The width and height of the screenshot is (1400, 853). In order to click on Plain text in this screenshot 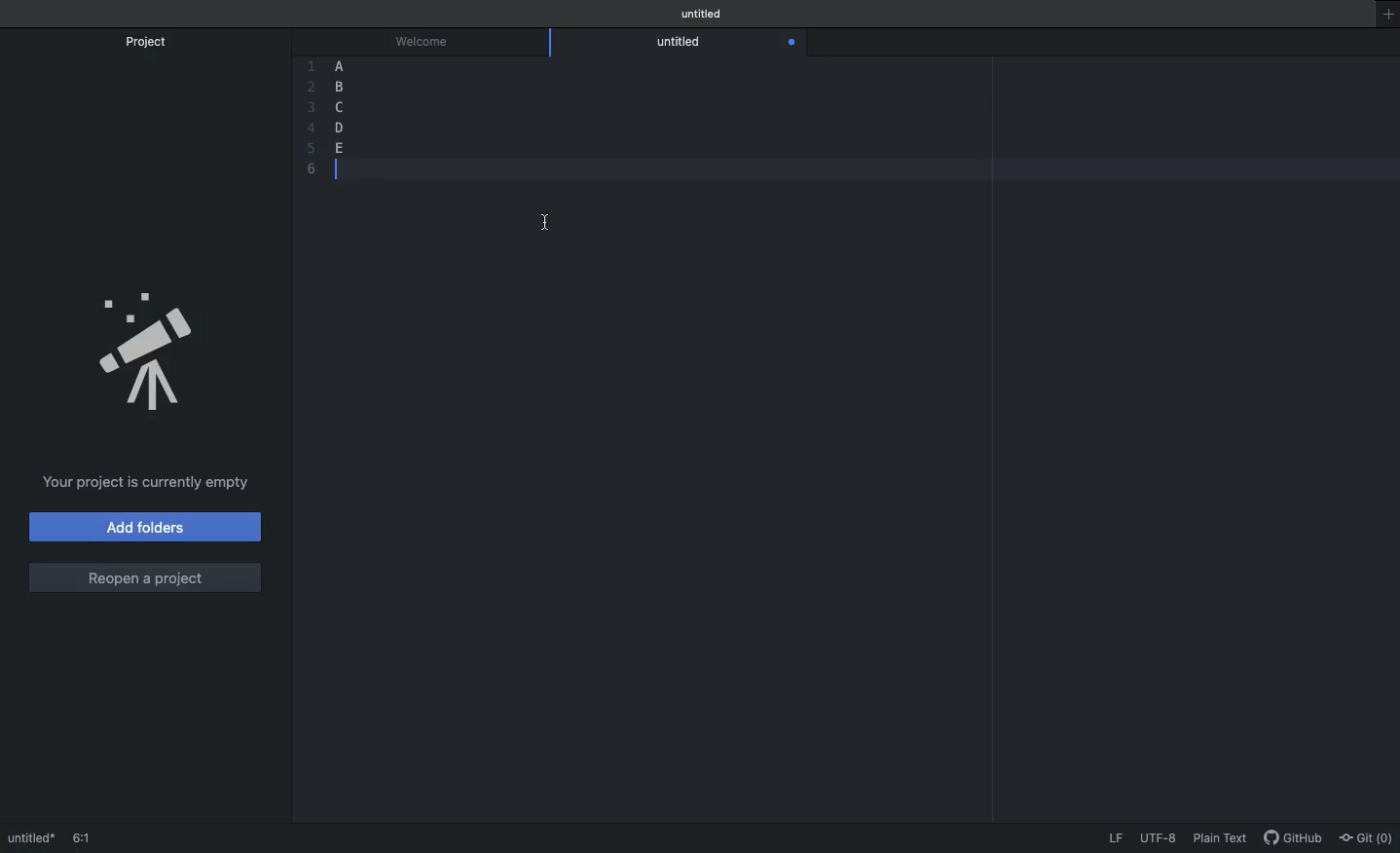, I will do `click(1225, 841)`.